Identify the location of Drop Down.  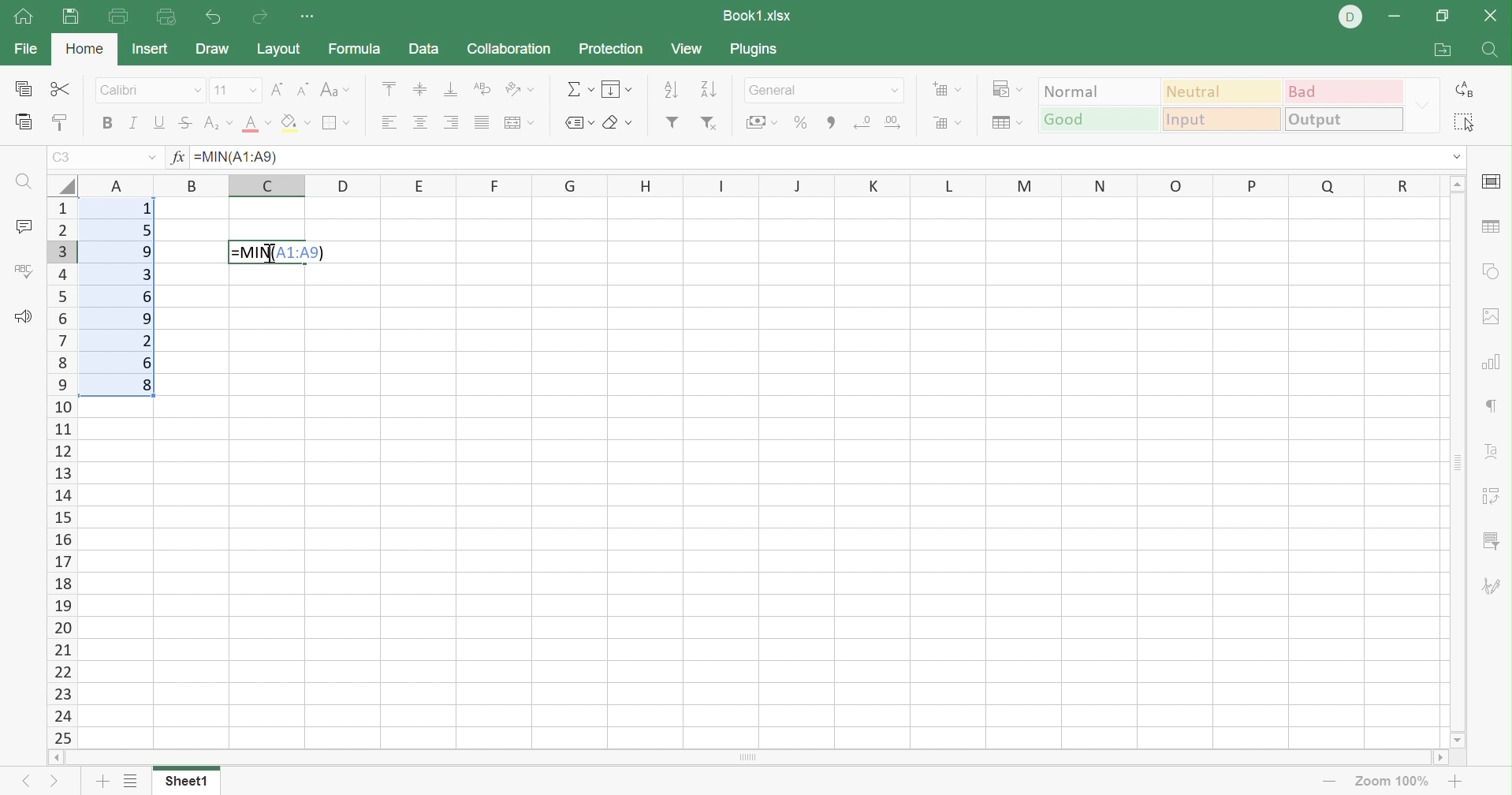
(1458, 159).